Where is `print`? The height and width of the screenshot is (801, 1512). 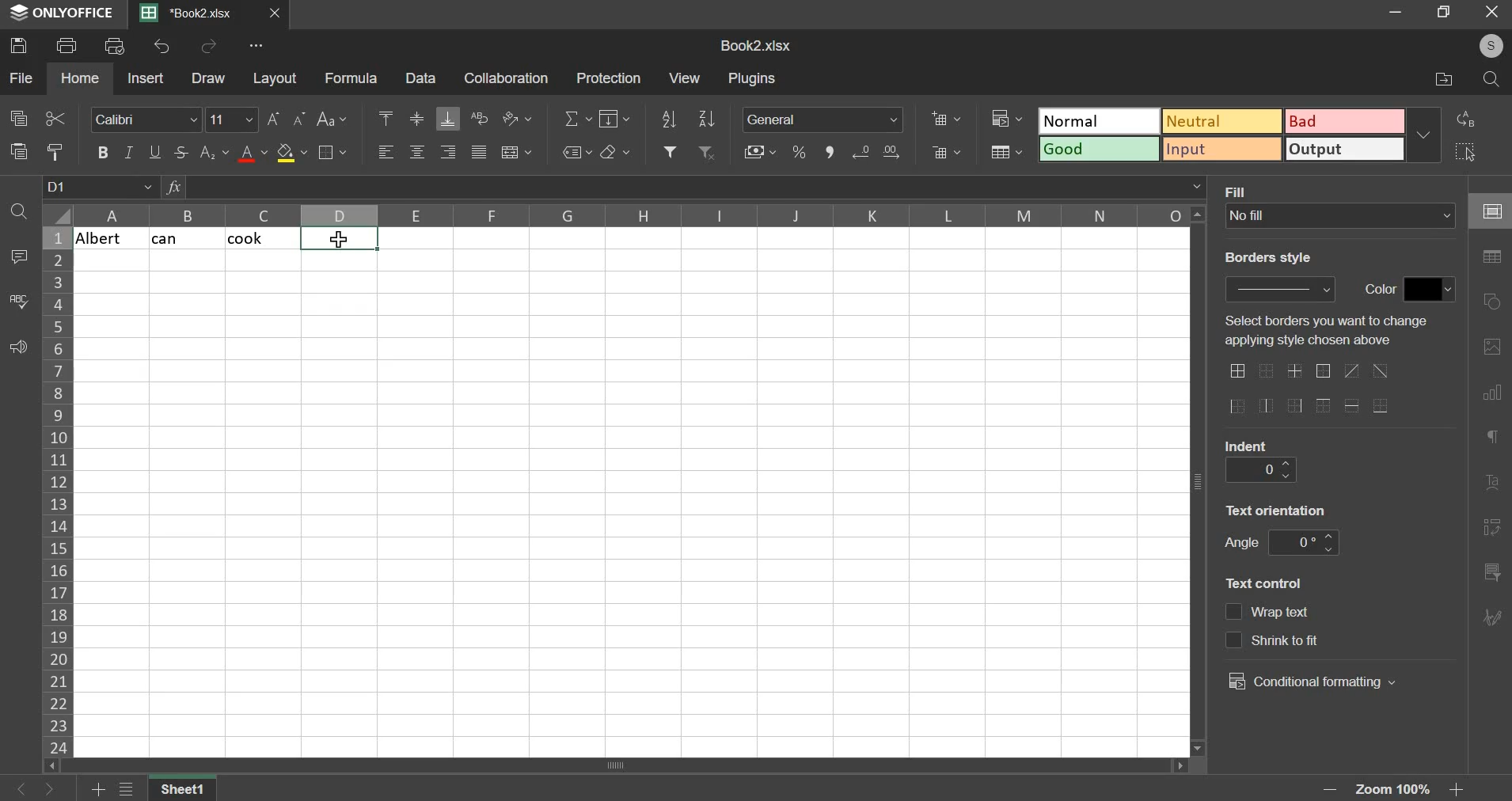
print is located at coordinates (67, 46).